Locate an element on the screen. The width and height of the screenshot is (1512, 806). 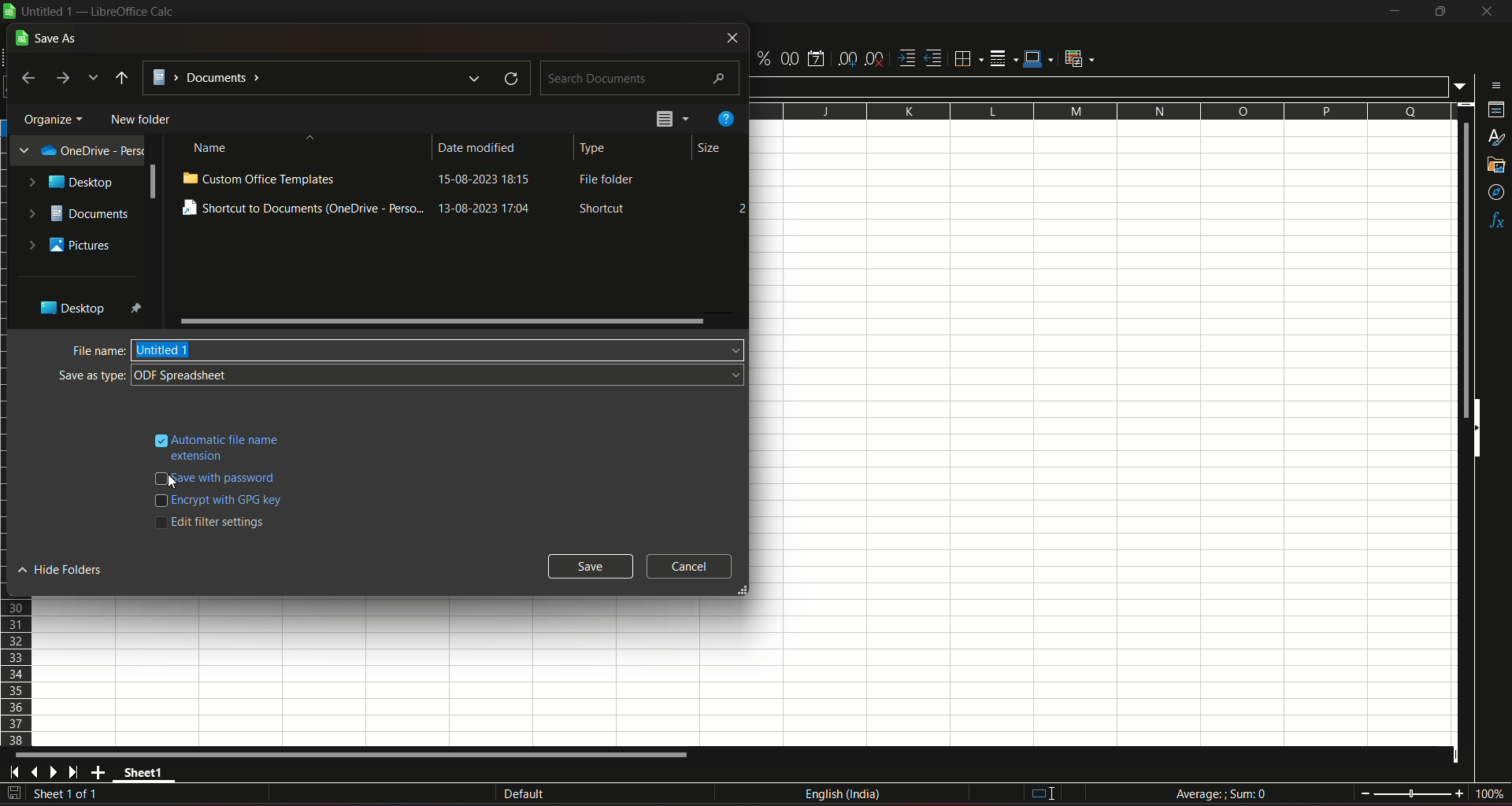
format as percent is located at coordinates (762, 59).